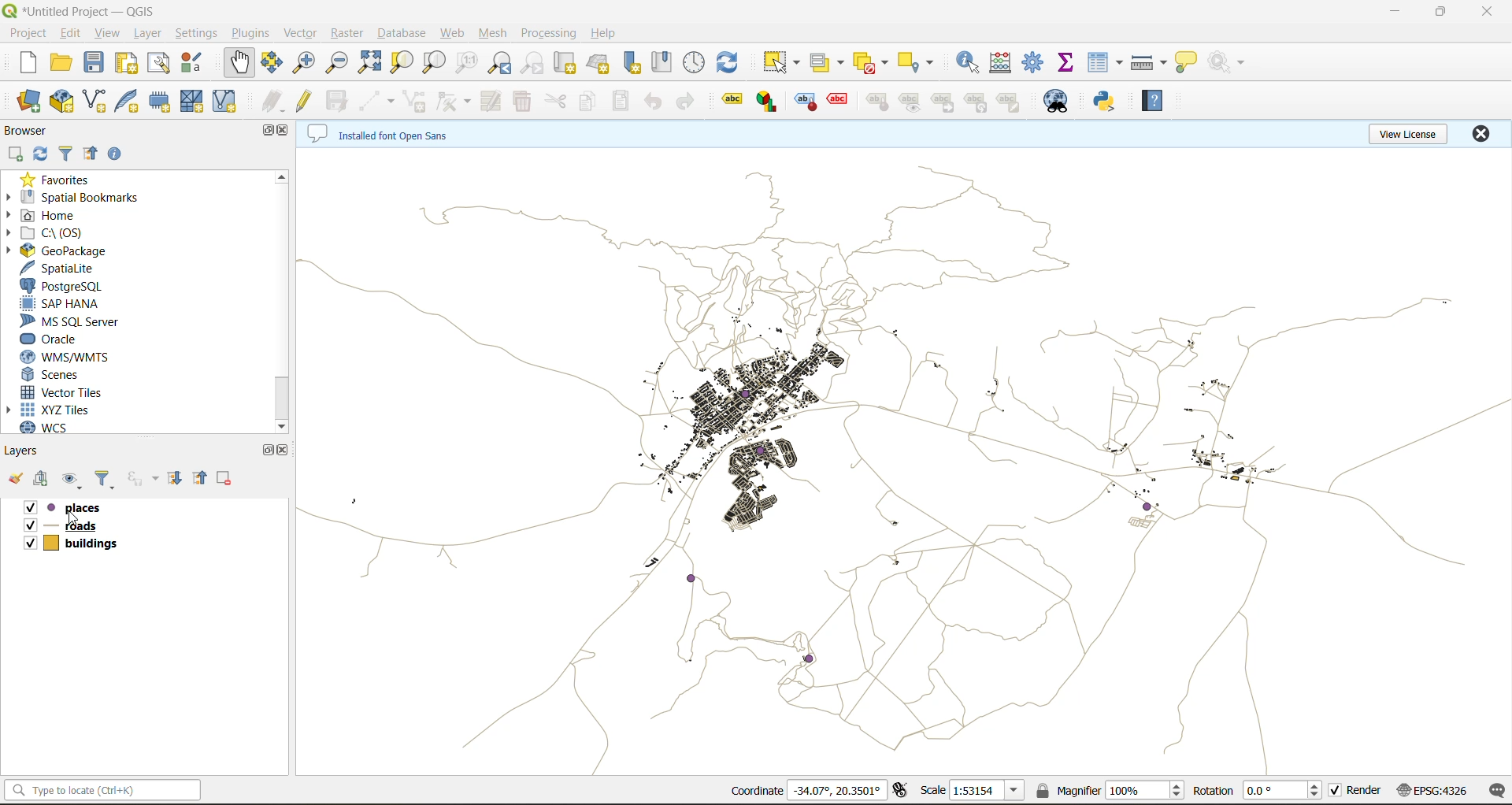 The image size is (1512, 805). What do you see at coordinates (1058, 102) in the screenshot?
I see `metasearch` at bounding box center [1058, 102].